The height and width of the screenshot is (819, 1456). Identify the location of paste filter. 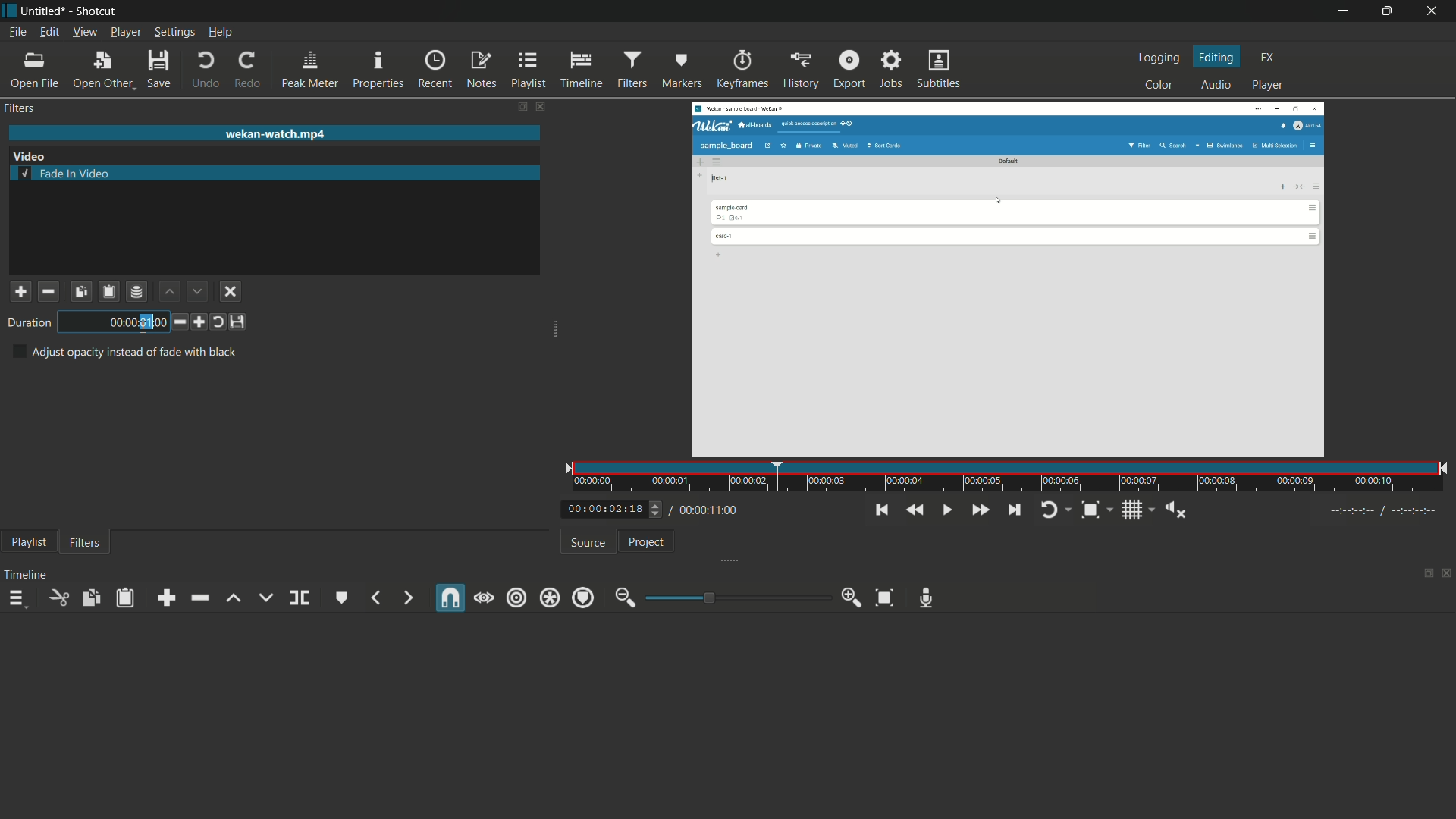
(110, 291).